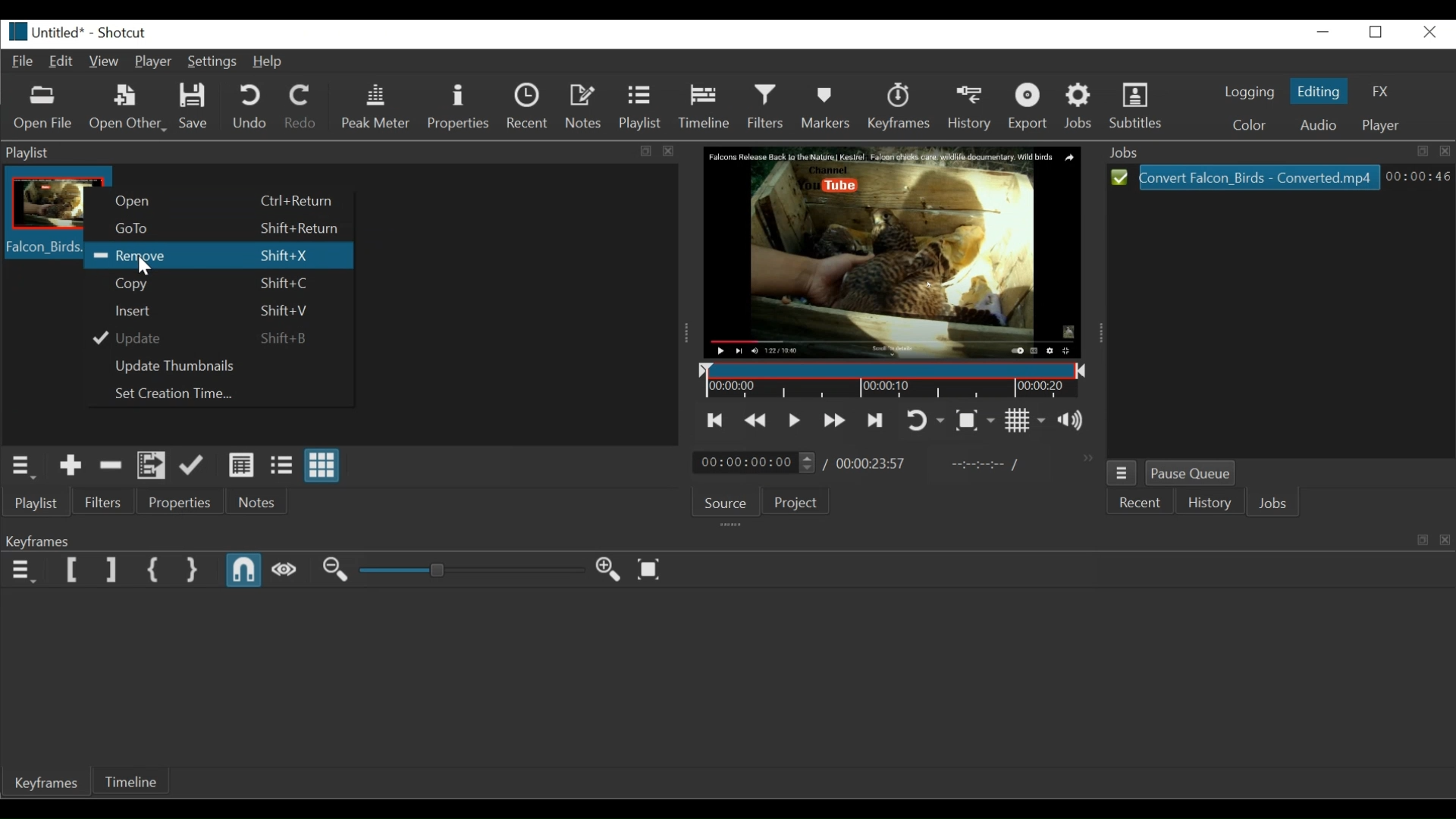 The width and height of the screenshot is (1456, 819). Describe the element at coordinates (756, 420) in the screenshot. I see `Play quickly backward` at that location.